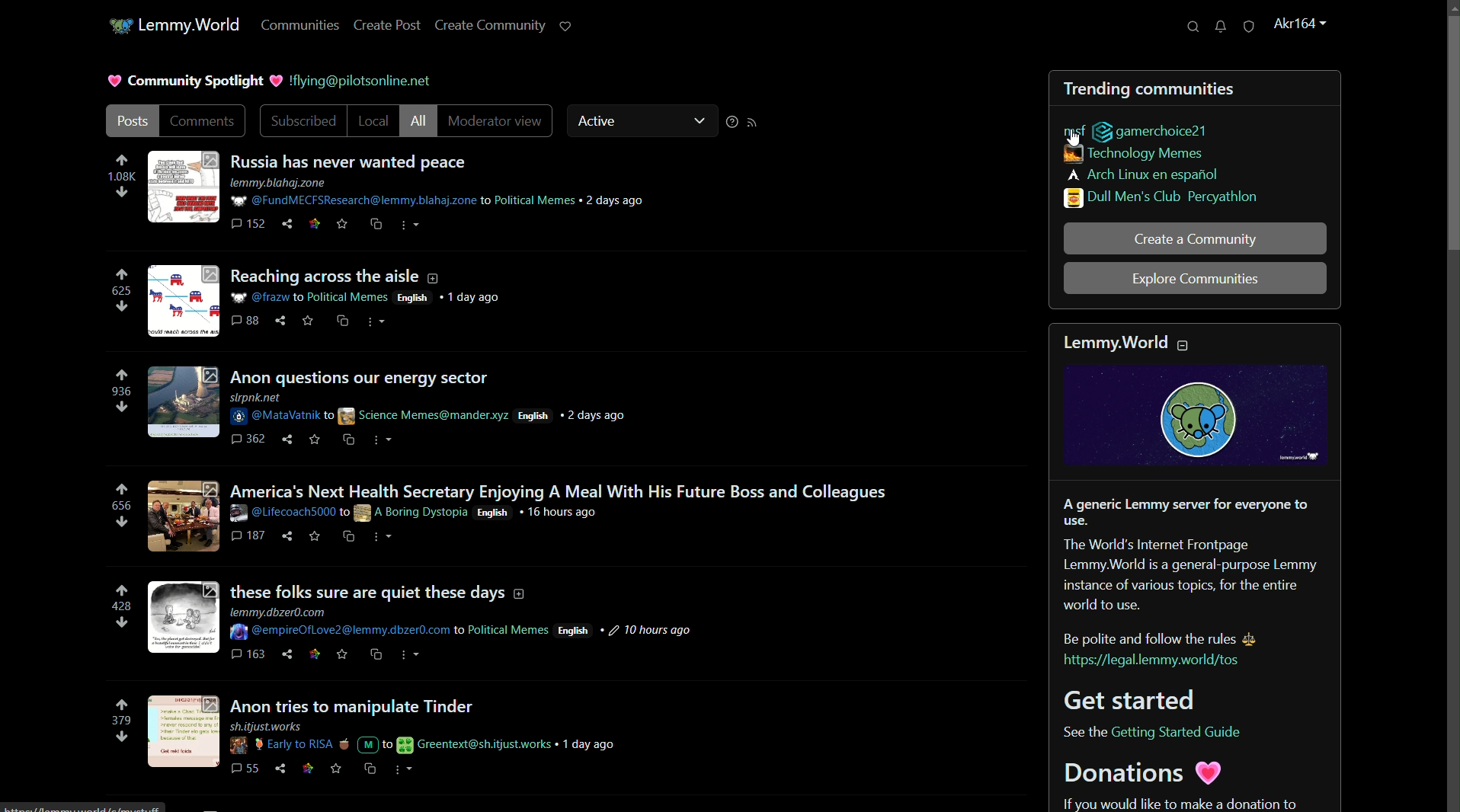  Describe the element at coordinates (338, 276) in the screenshot. I see `post-2` at that location.